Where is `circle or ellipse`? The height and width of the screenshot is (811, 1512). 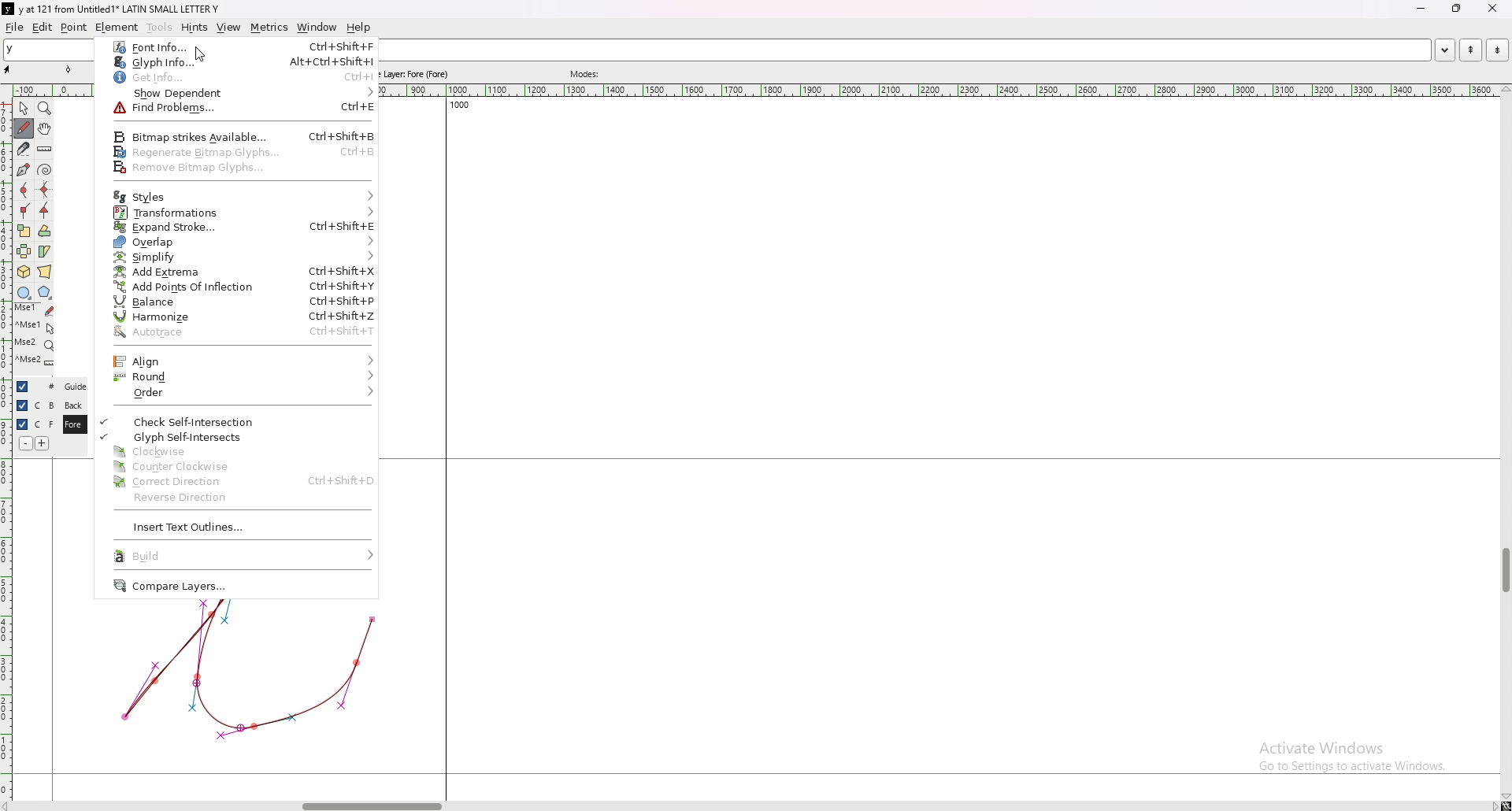
circle or ellipse is located at coordinates (24, 292).